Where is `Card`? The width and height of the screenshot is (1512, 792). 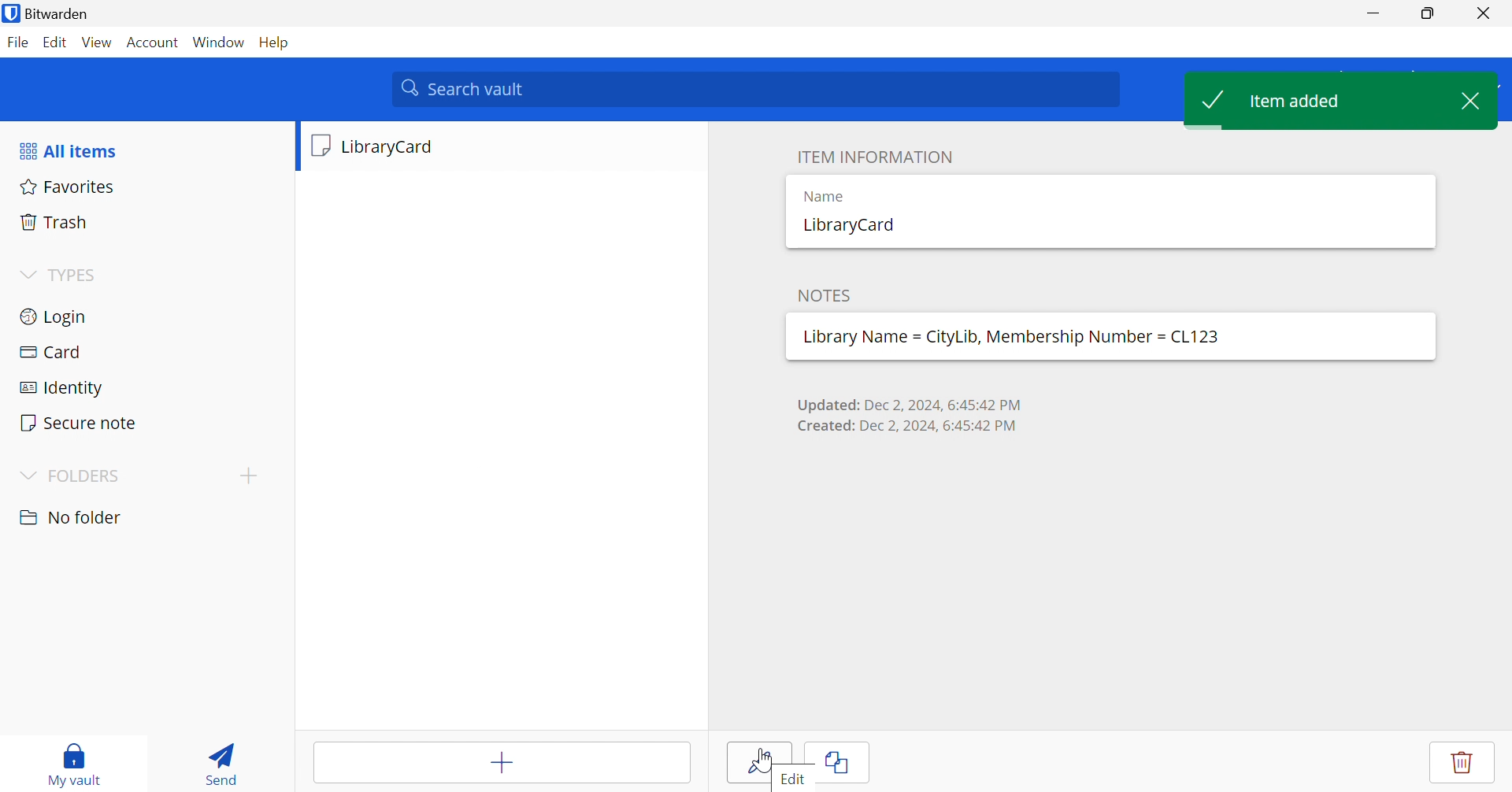 Card is located at coordinates (141, 349).